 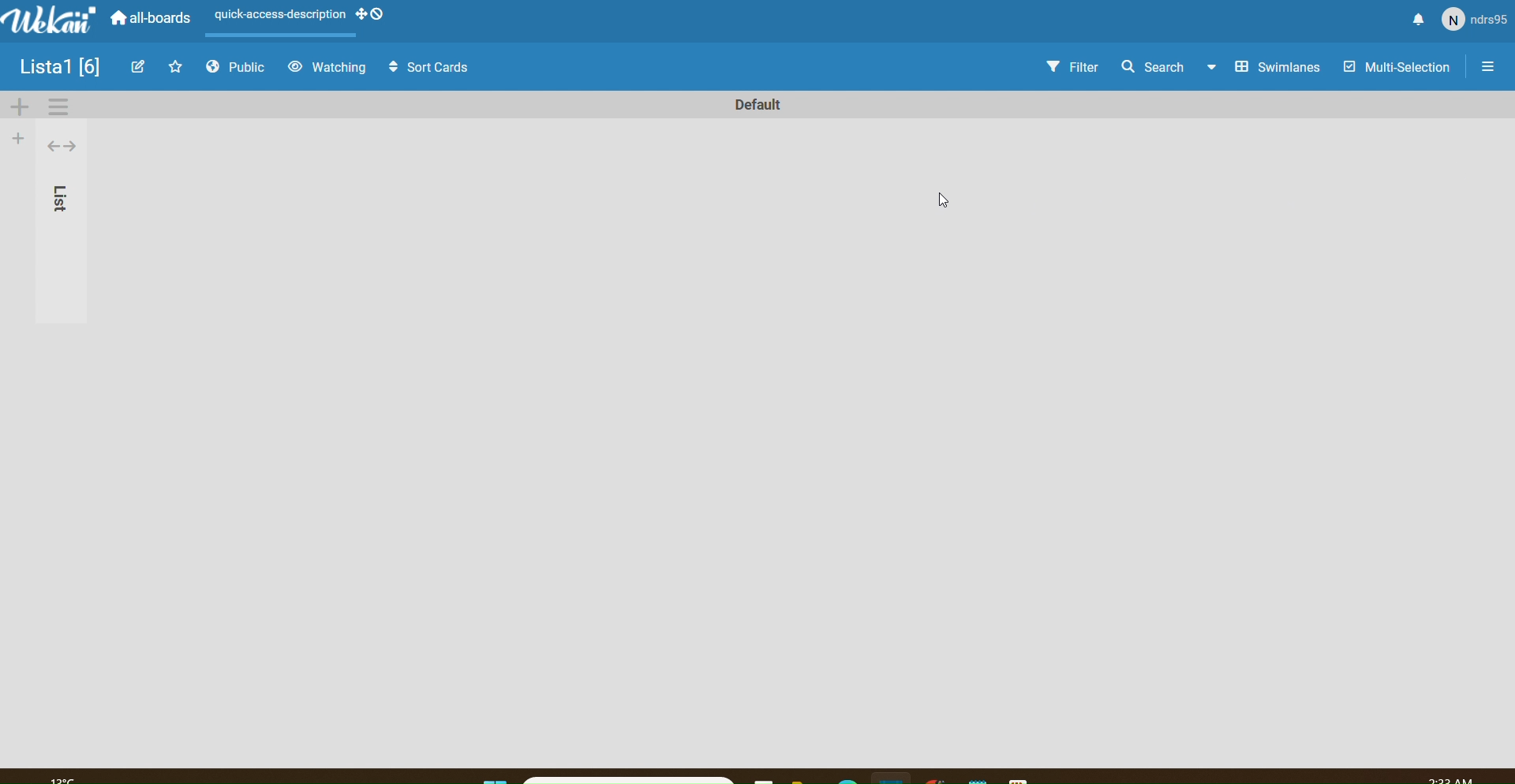 What do you see at coordinates (62, 109) in the screenshot?
I see `Settings` at bounding box center [62, 109].